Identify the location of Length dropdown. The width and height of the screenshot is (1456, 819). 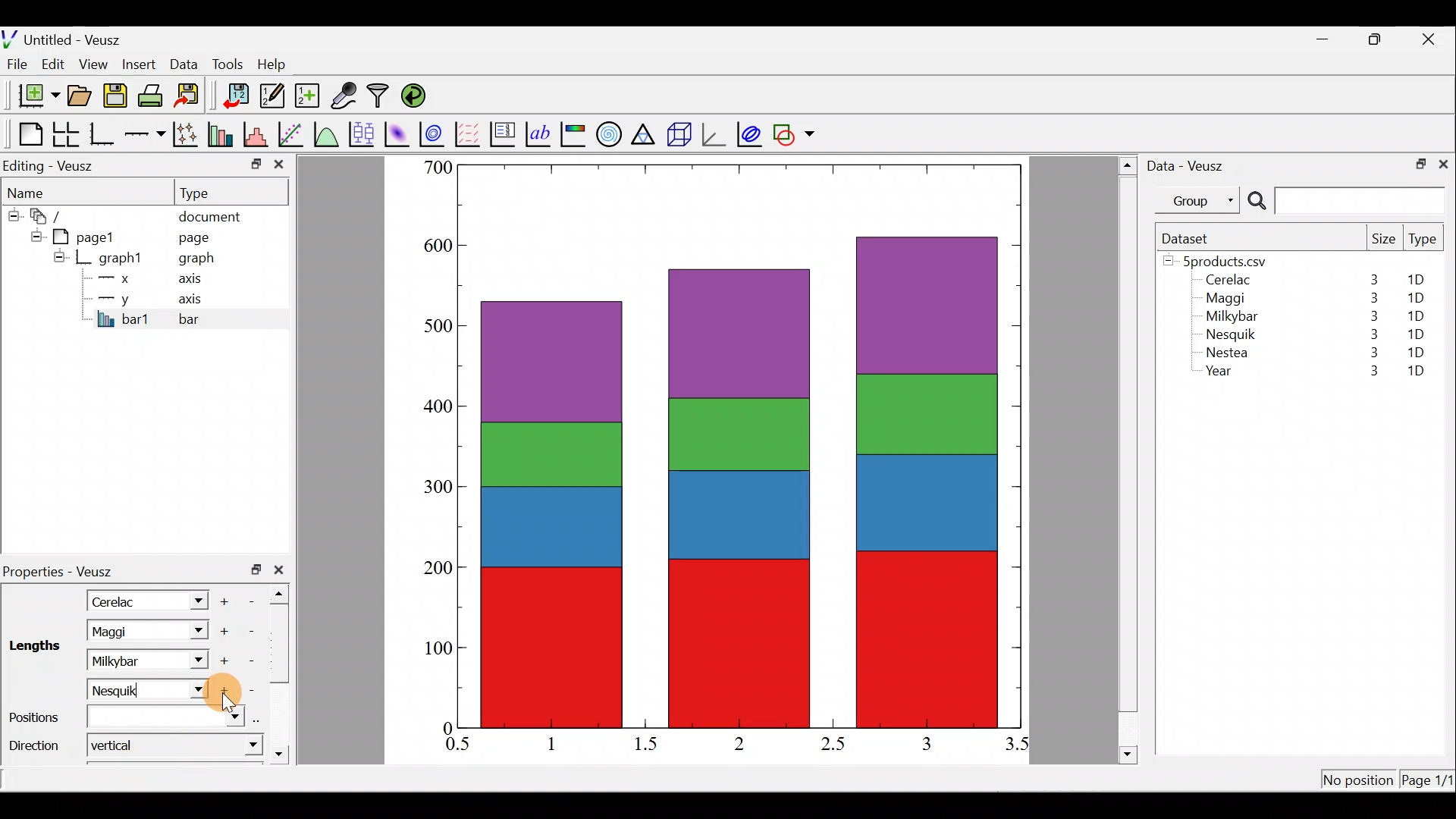
(191, 600).